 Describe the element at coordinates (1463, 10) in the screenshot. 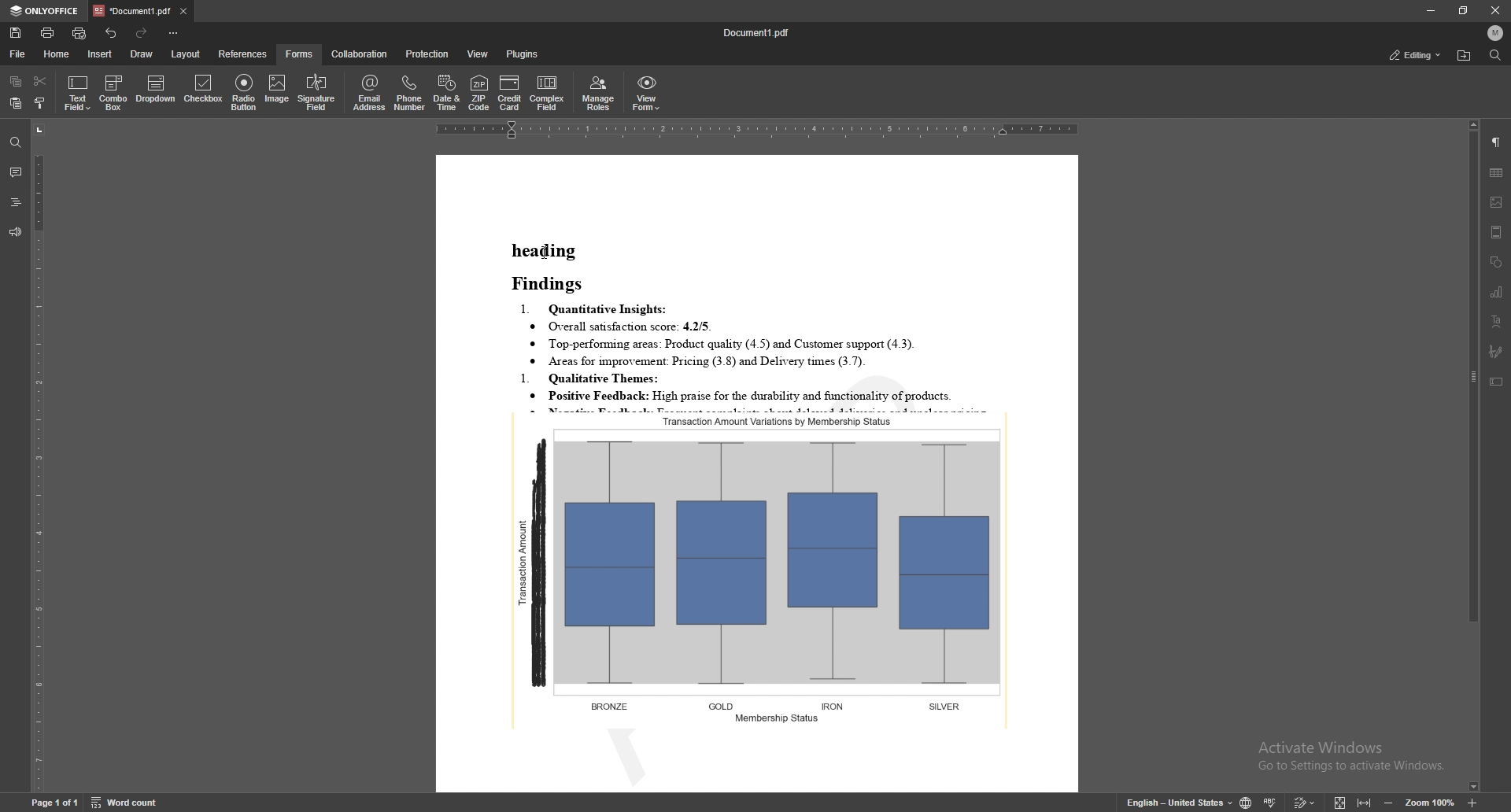

I see `resize` at that location.